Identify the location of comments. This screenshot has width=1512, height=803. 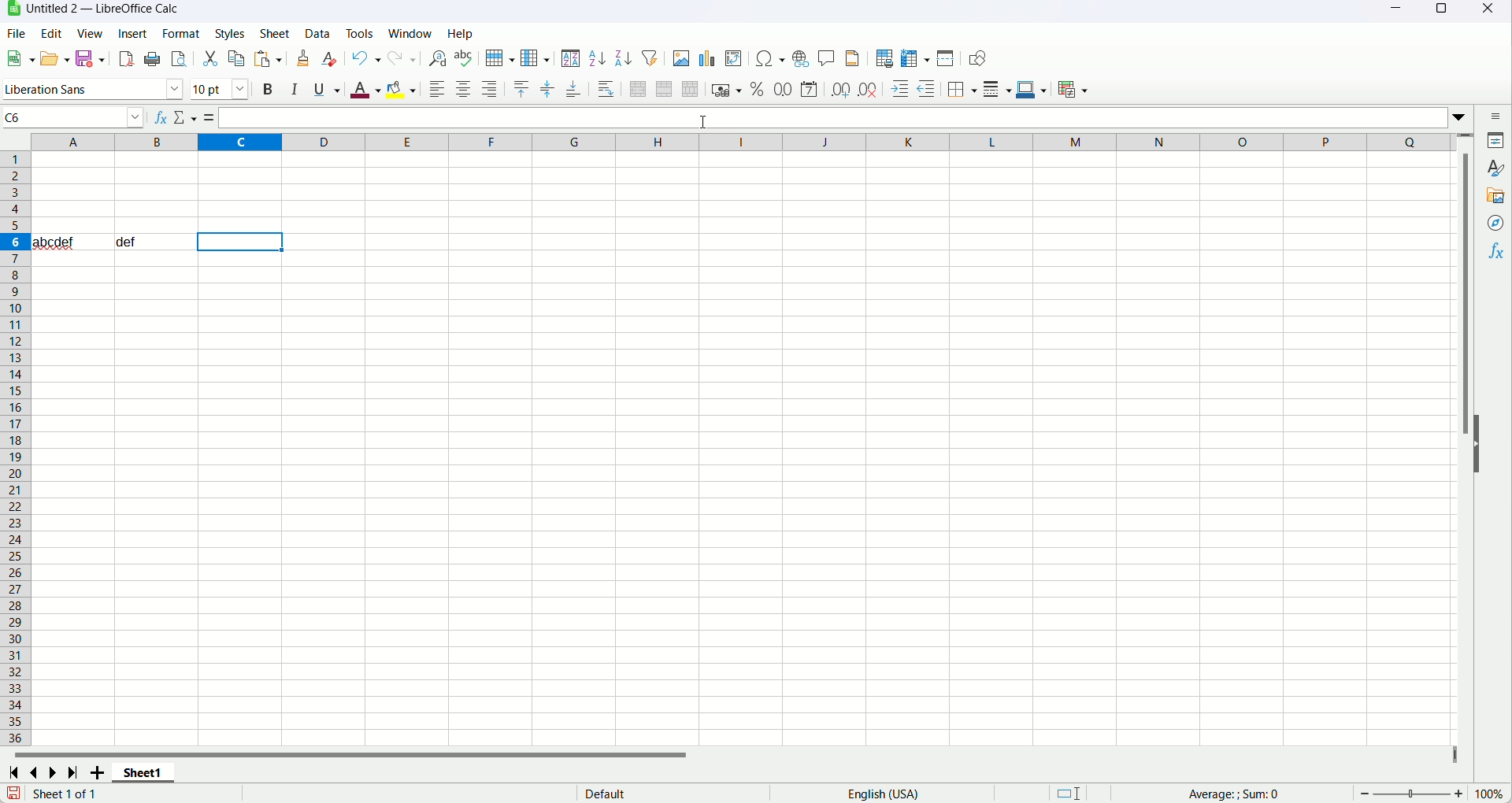
(827, 60).